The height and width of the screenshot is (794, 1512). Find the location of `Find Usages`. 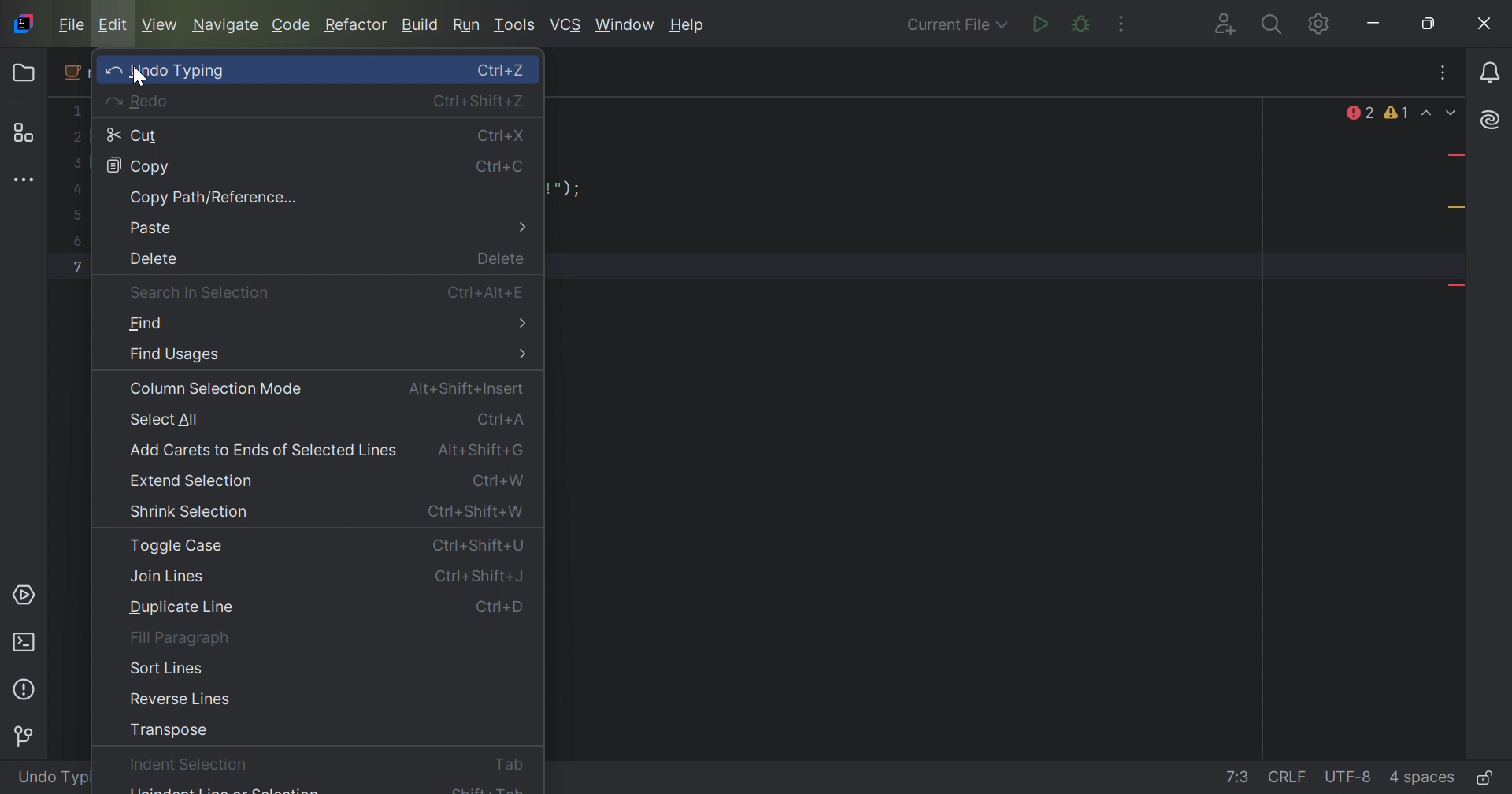

Find Usages is located at coordinates (175, 355).